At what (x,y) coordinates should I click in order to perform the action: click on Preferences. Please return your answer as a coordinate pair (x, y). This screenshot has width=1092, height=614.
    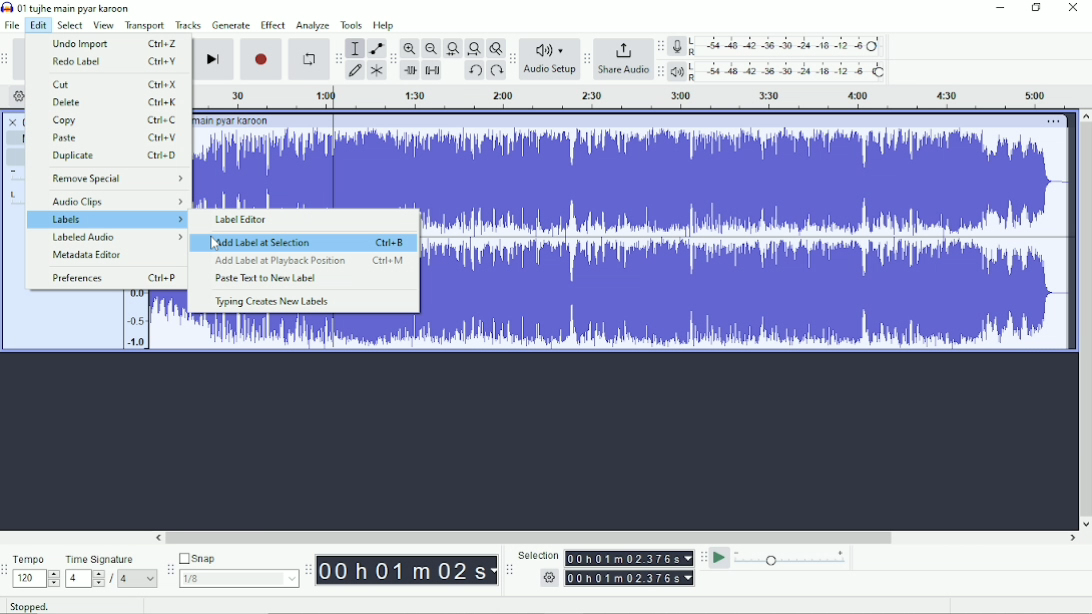
    Looking at the image, I should click on (113, 278).